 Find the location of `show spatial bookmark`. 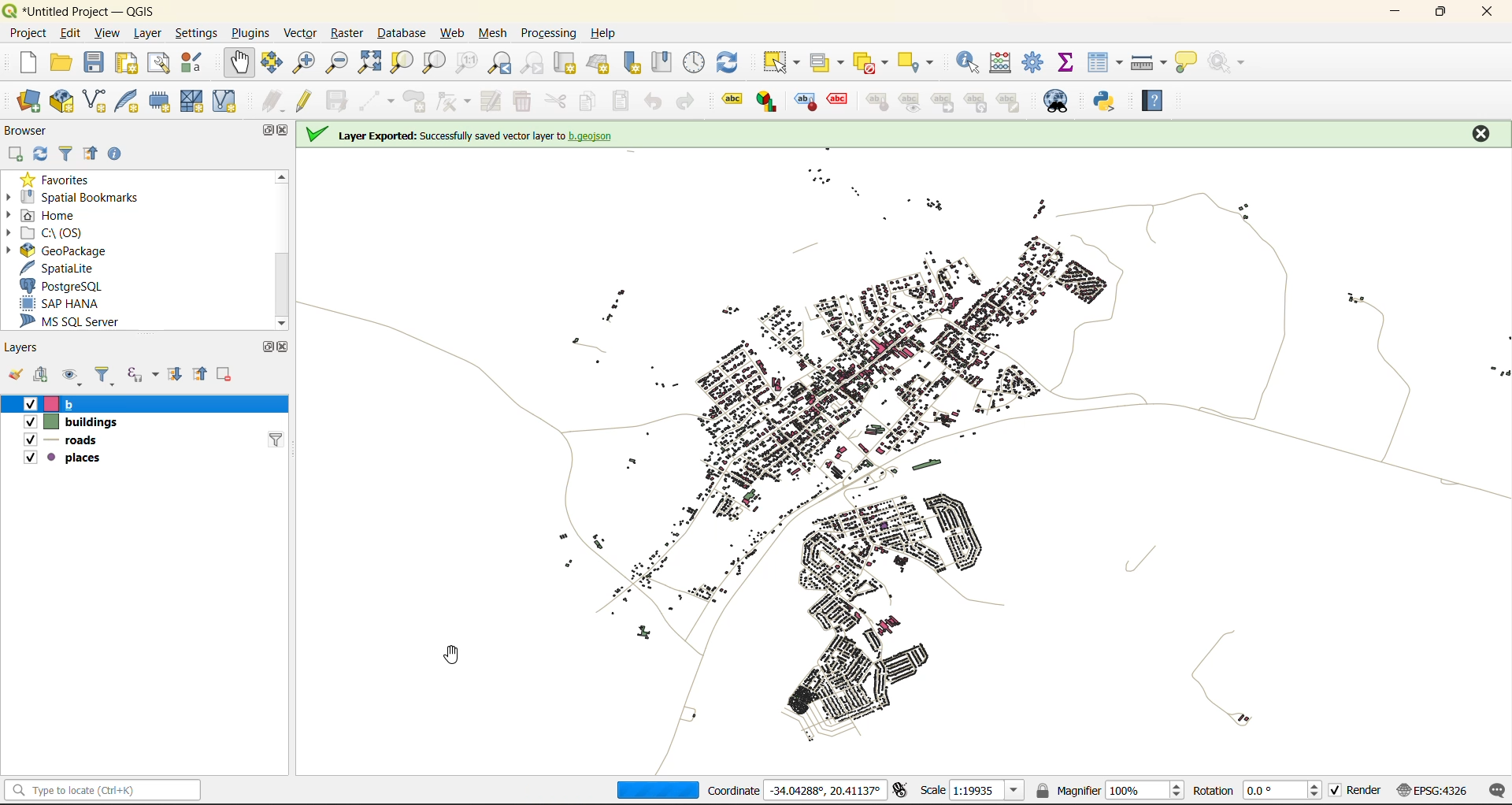

show spatial bookmark is located at coordinates (665, 62).